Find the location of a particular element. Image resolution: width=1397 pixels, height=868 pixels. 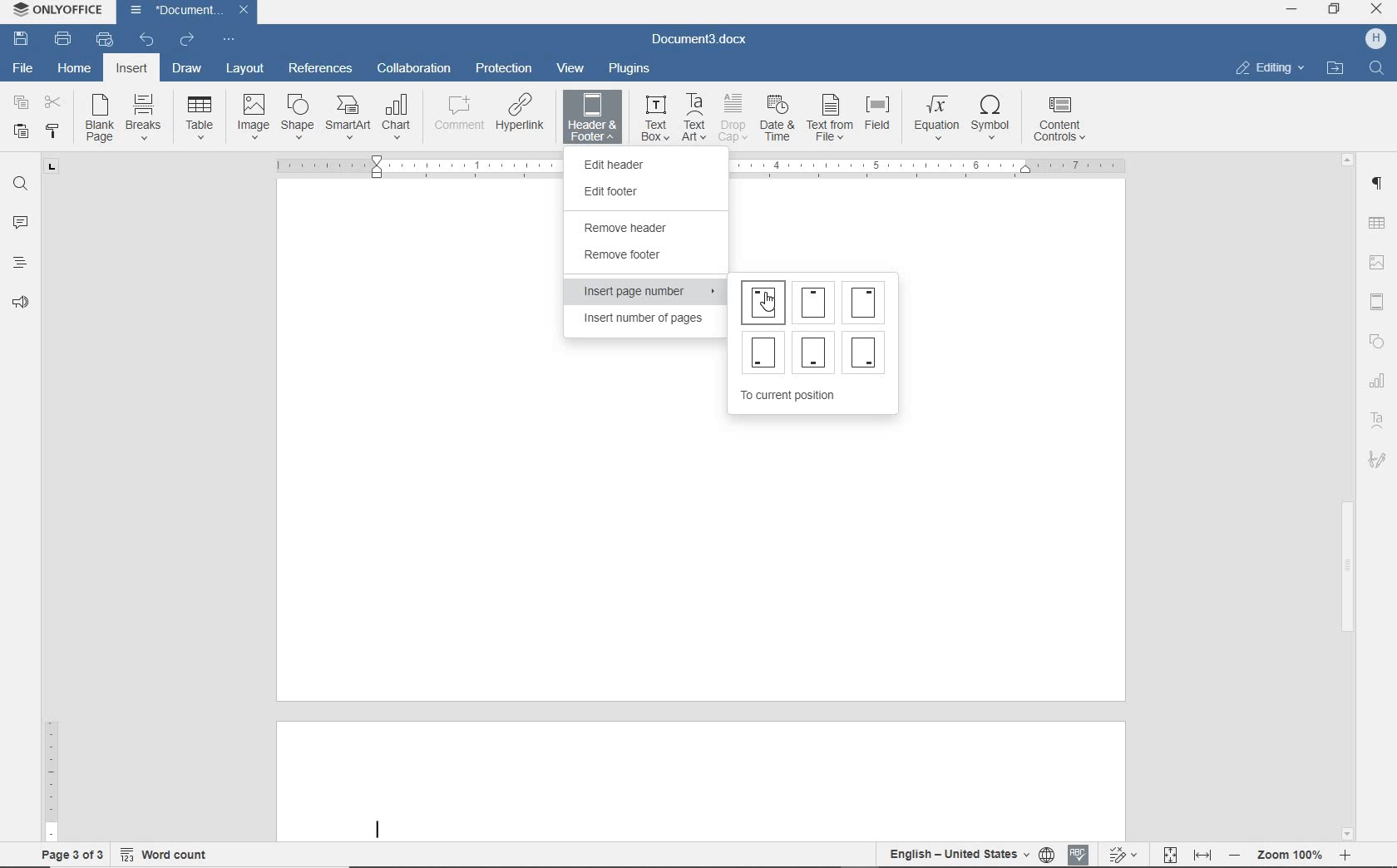

FIND is located at coordinates (1376, 70).